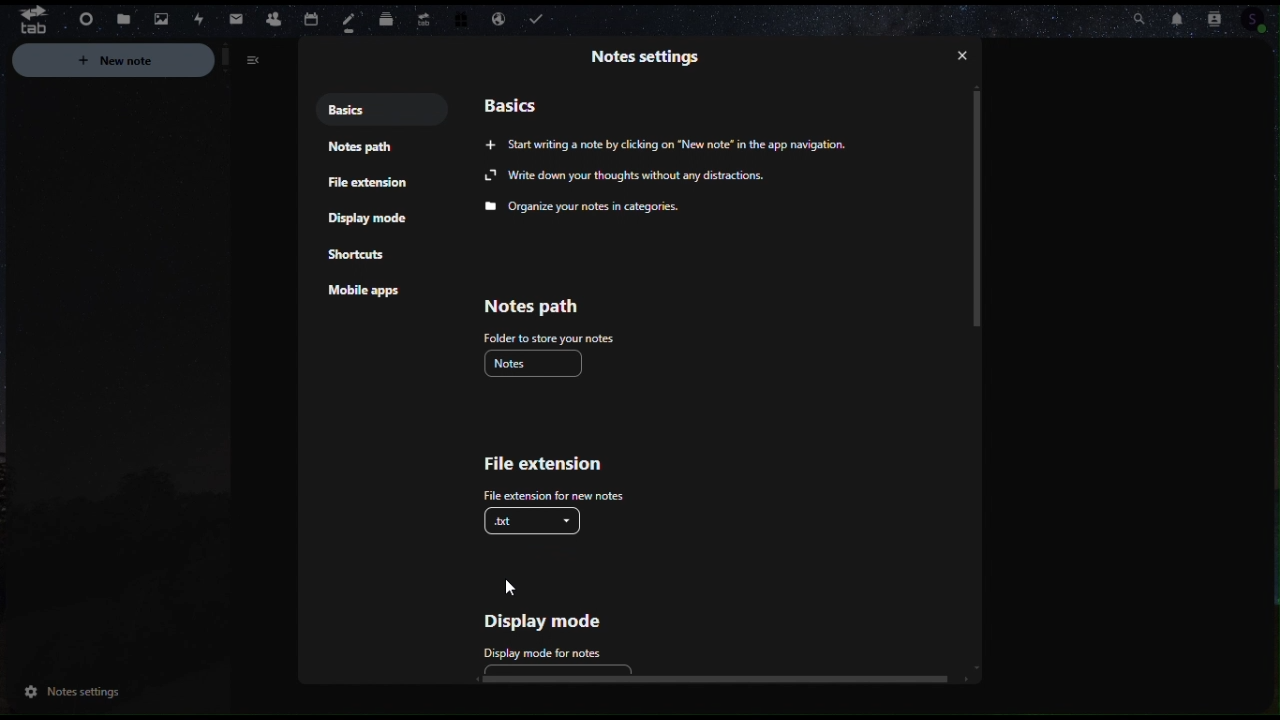 The image size is (1280, 720). I want to click on Notes path, so click(530, 307).